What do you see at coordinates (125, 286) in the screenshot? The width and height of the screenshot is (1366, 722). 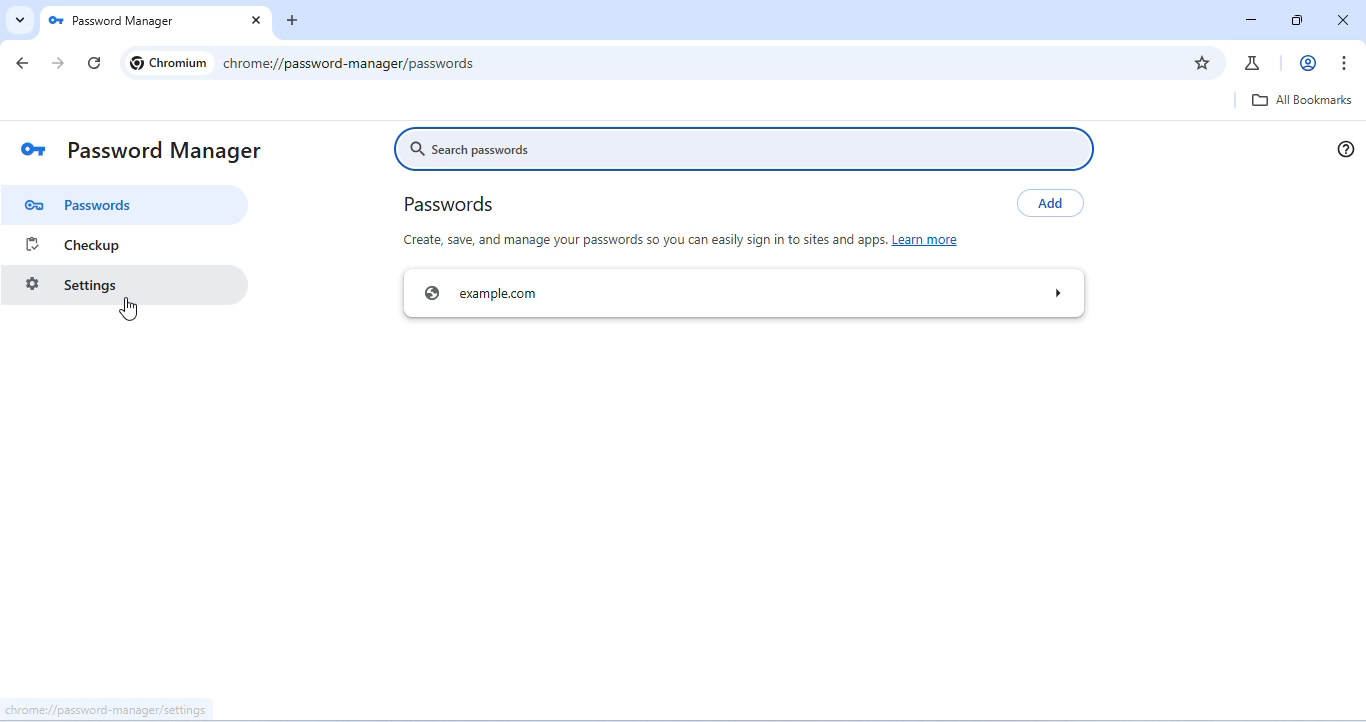 I see `settings` at bounding box center [125, 286].